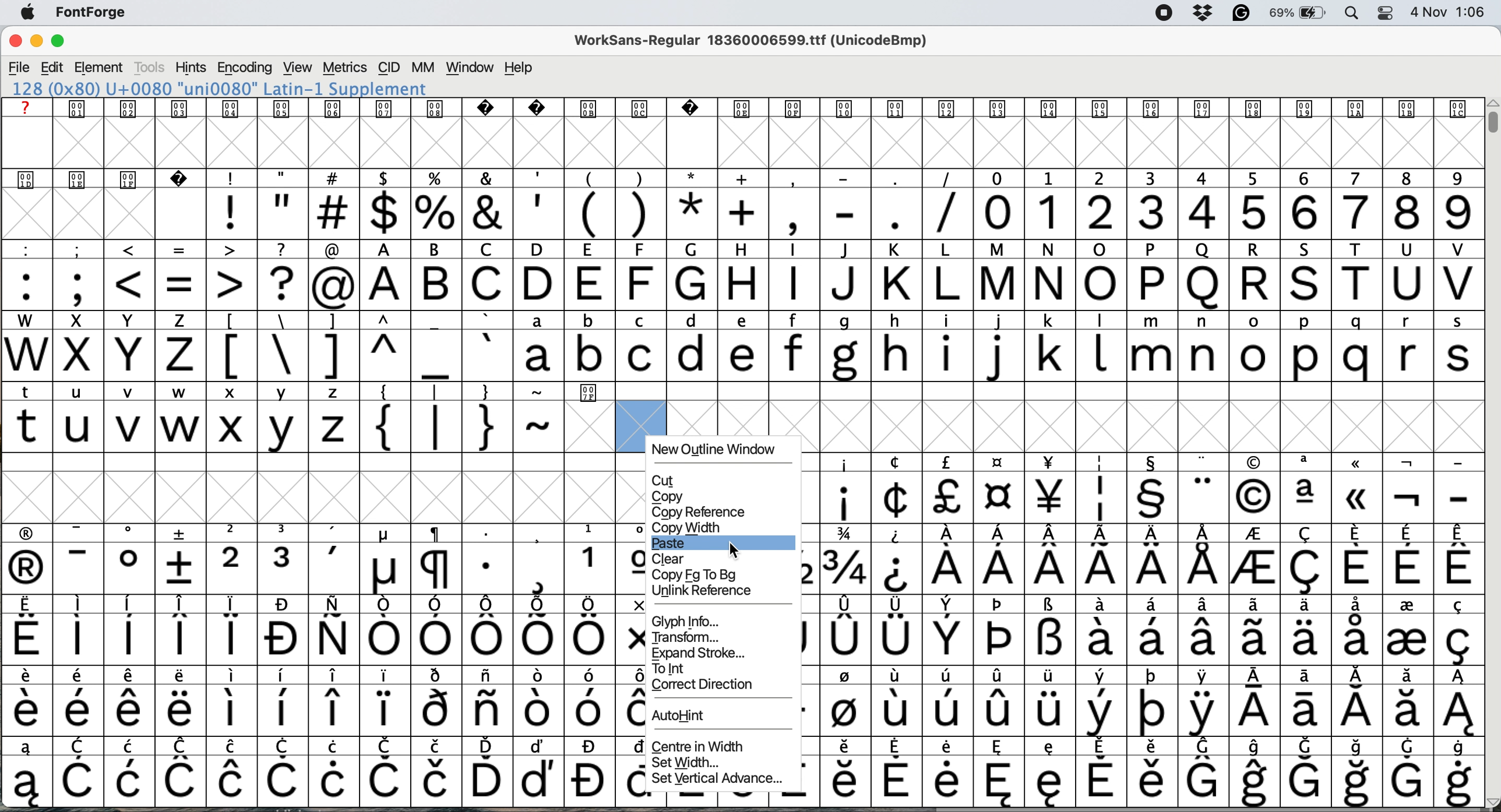 The width and height of the screenshot is (1501, 812). What do you see at coordinates (680, 670) in the screenshot?
I see `to int` at bounding box center [680, 670].